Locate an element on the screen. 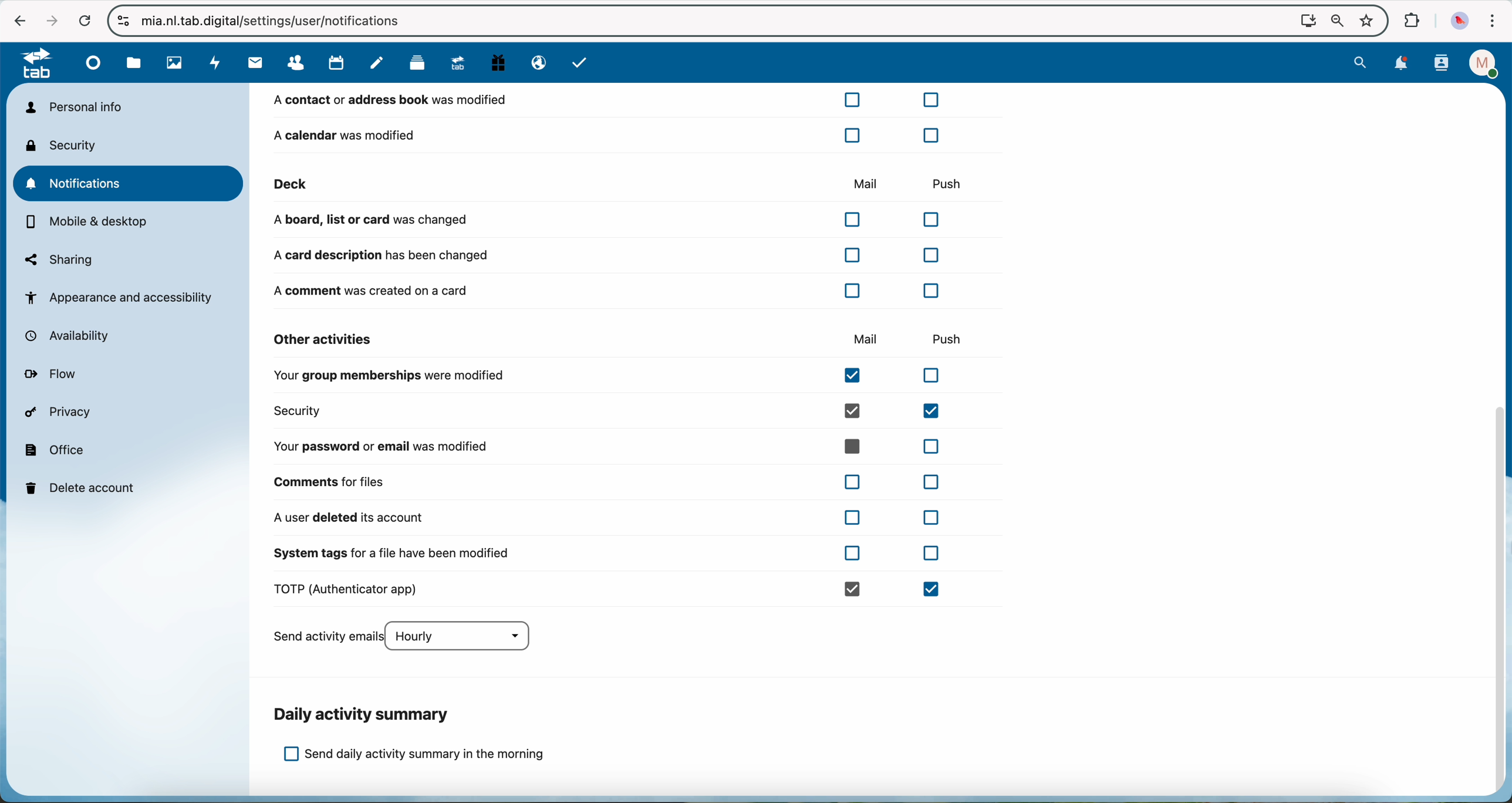  security is located at coordinates (614, 411).